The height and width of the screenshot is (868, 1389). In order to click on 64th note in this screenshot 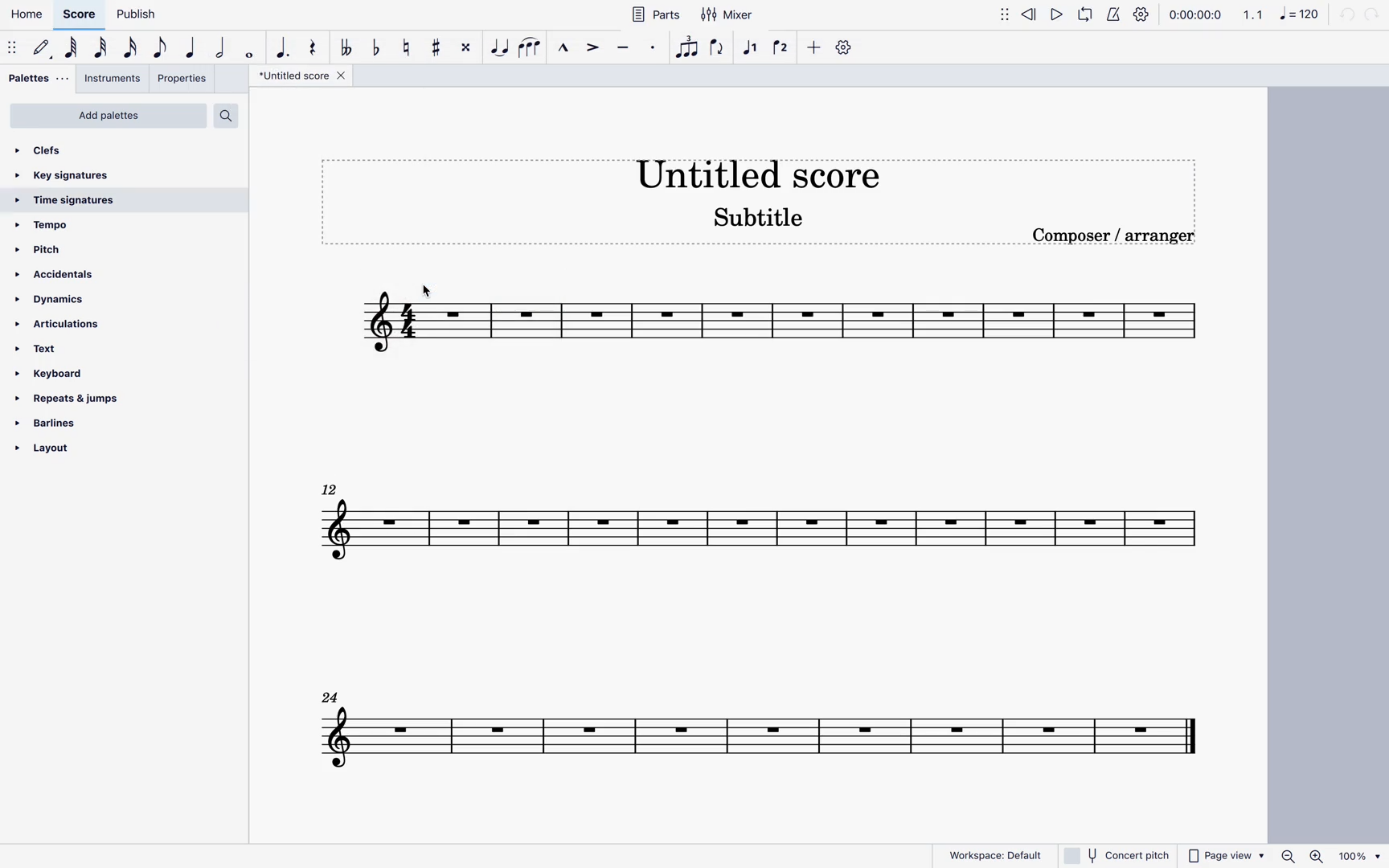, I will do `click(70, 51)`.